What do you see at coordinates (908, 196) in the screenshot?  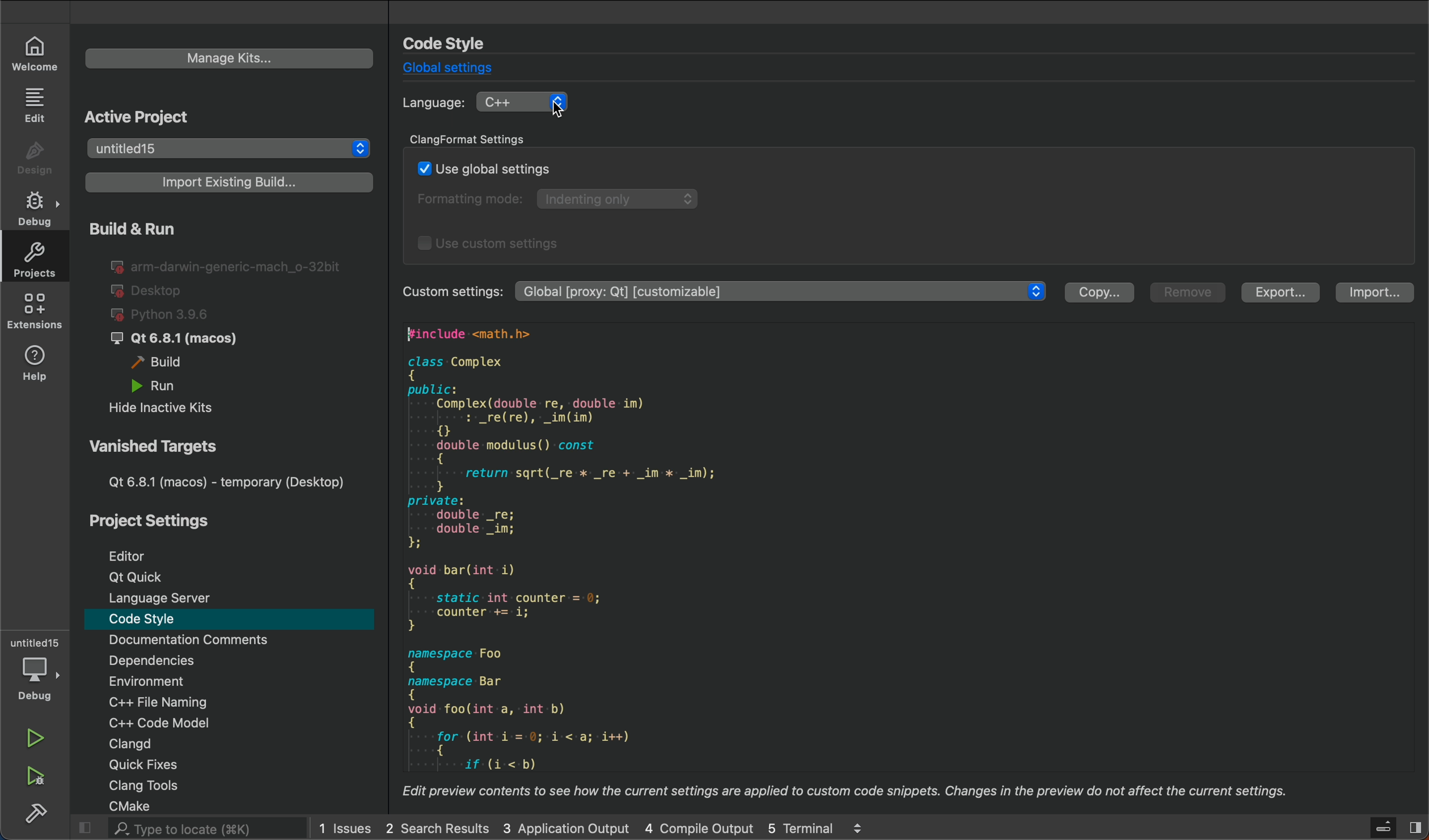 I see `change format settings` at bounding box center [908, 196].